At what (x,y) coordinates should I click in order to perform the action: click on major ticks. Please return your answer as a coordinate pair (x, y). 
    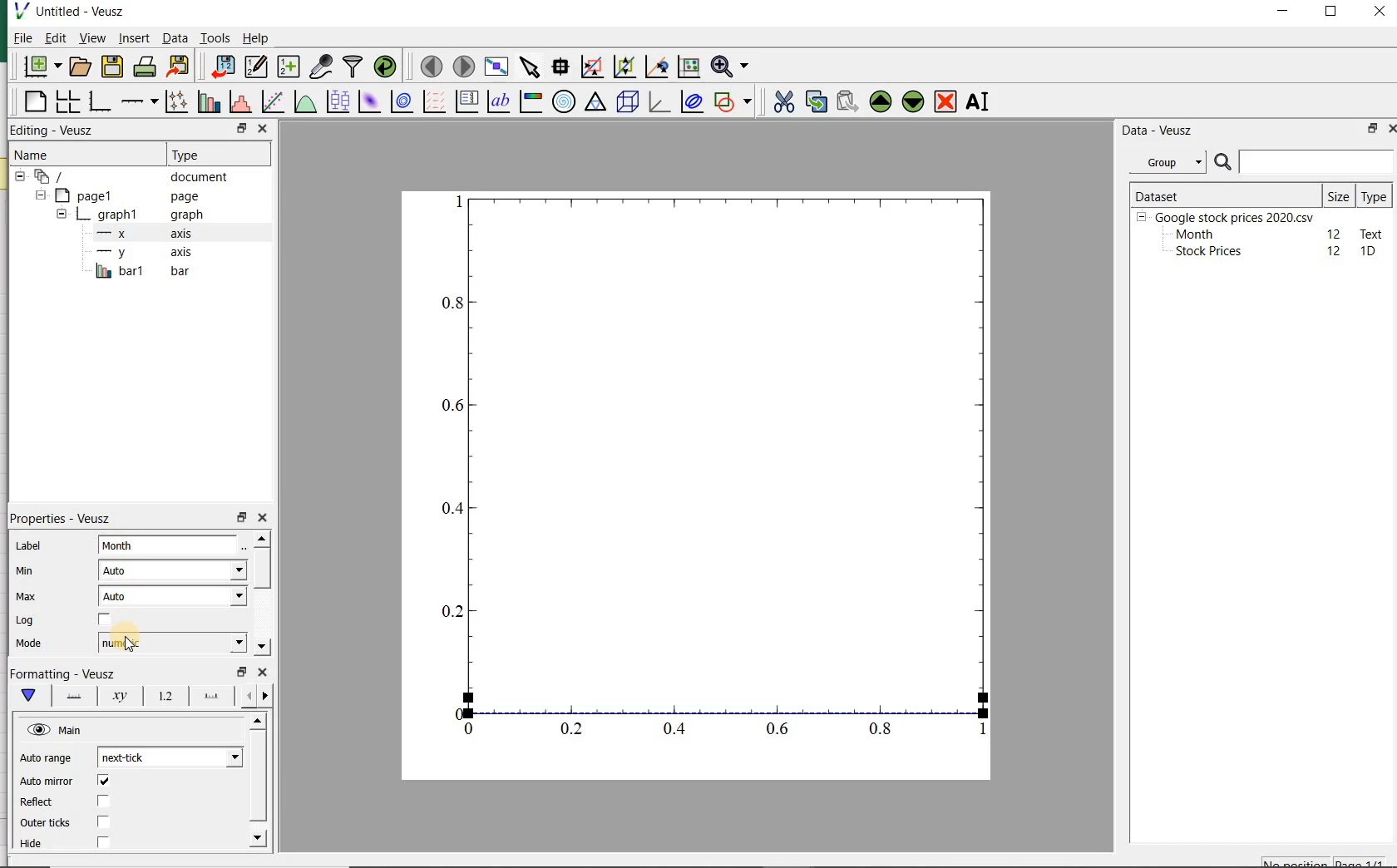
    Looking at the image, I should click on (209, 696).